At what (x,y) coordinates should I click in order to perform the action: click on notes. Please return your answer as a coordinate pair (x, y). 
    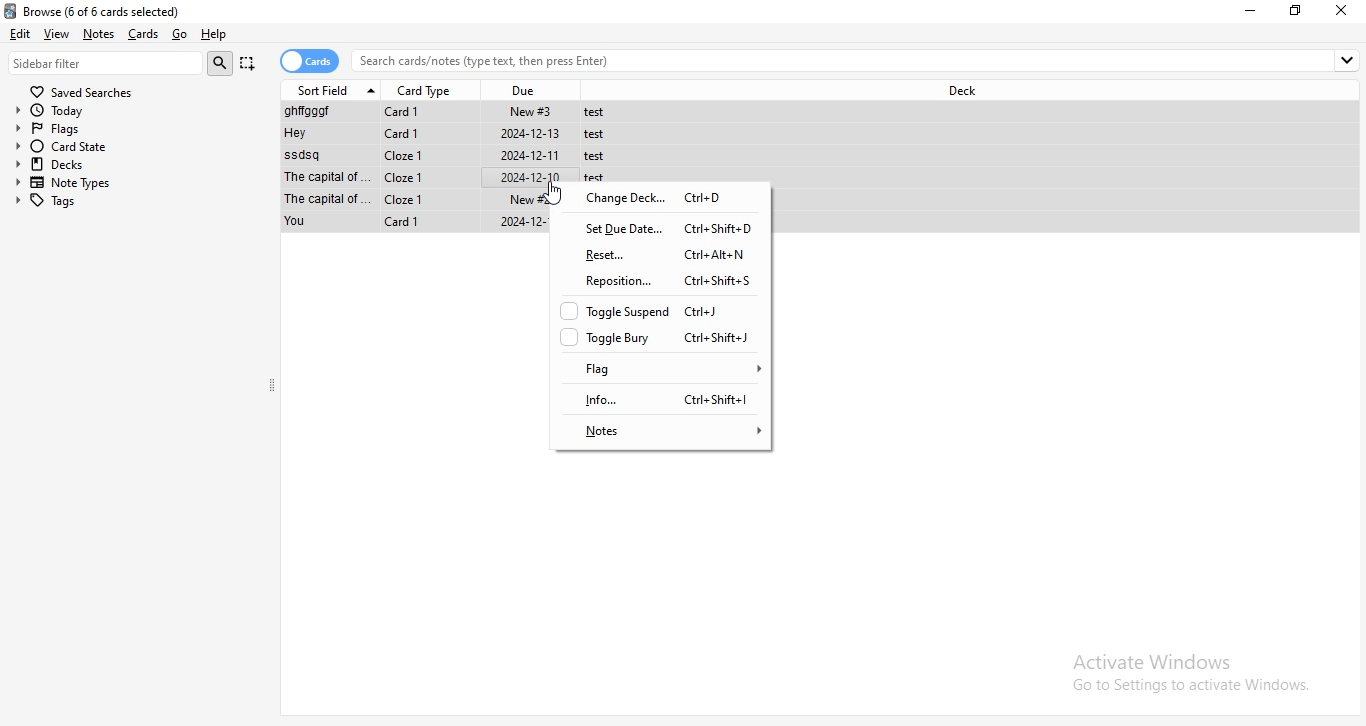
    Looking at the image, I should click on (102, 33).